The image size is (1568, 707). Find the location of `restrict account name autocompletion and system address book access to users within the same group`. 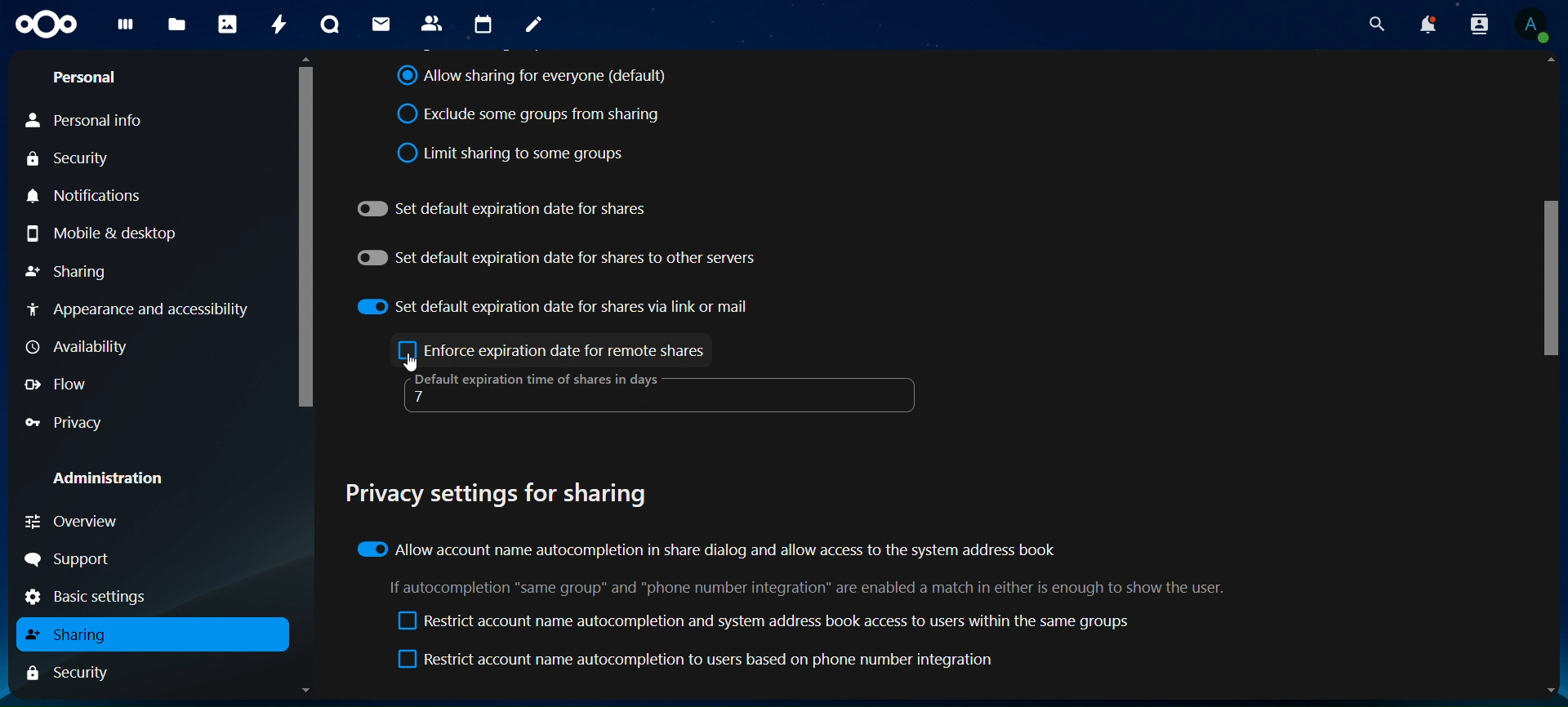

restrict account name autocompletion and system address book access to users within the same group is located at coordinates (764, 623).